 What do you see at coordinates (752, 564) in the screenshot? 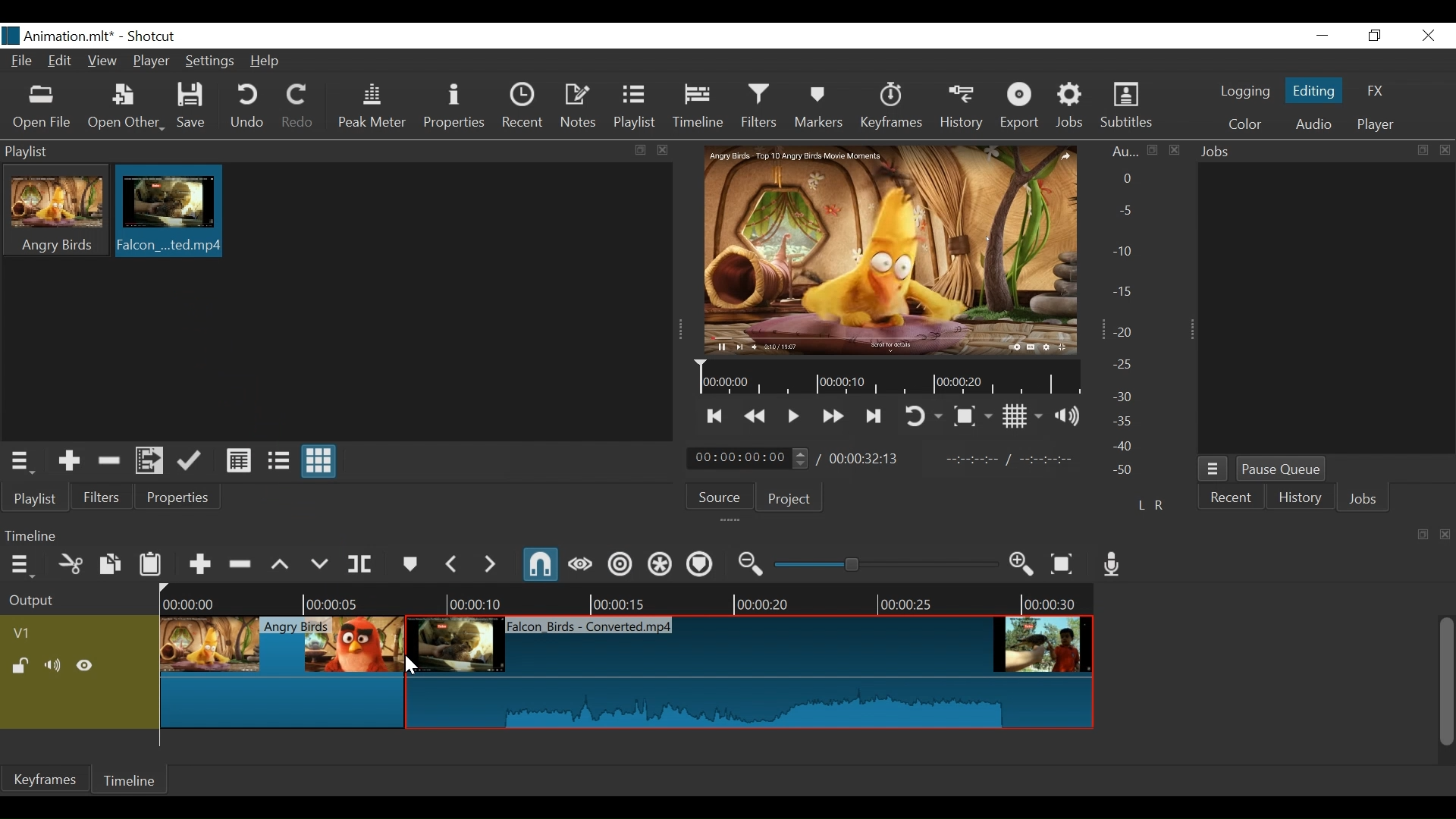
I see `Zoom timeline out` at bounding box center [752, 564].